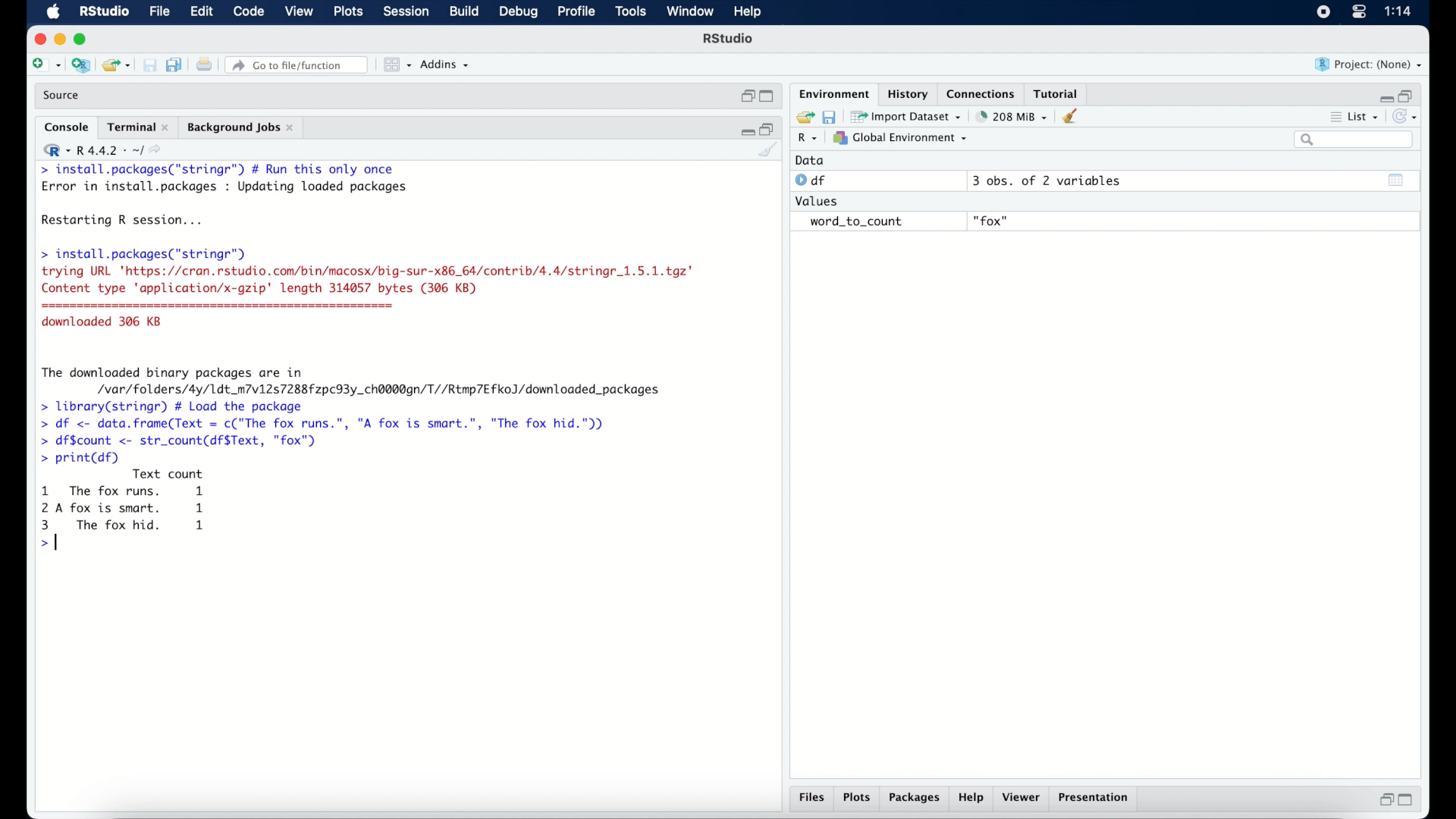 This screenshot has height=819, width=1456. What do you see at coordinates (161, 12) in the screenshot?
I see `file` at bounding box center [161, 12].